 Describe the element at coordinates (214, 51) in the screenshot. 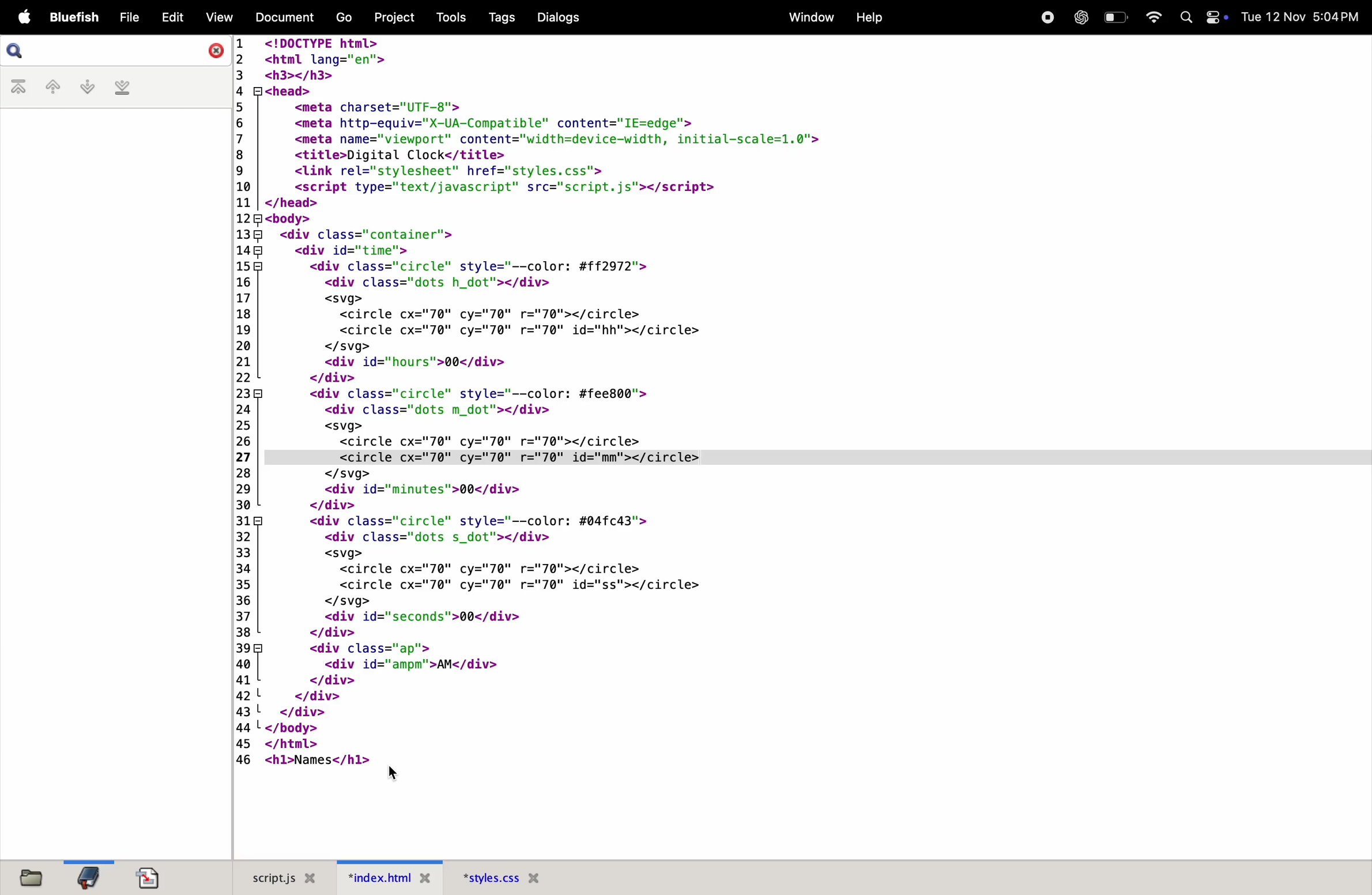

I see `close` at that location.